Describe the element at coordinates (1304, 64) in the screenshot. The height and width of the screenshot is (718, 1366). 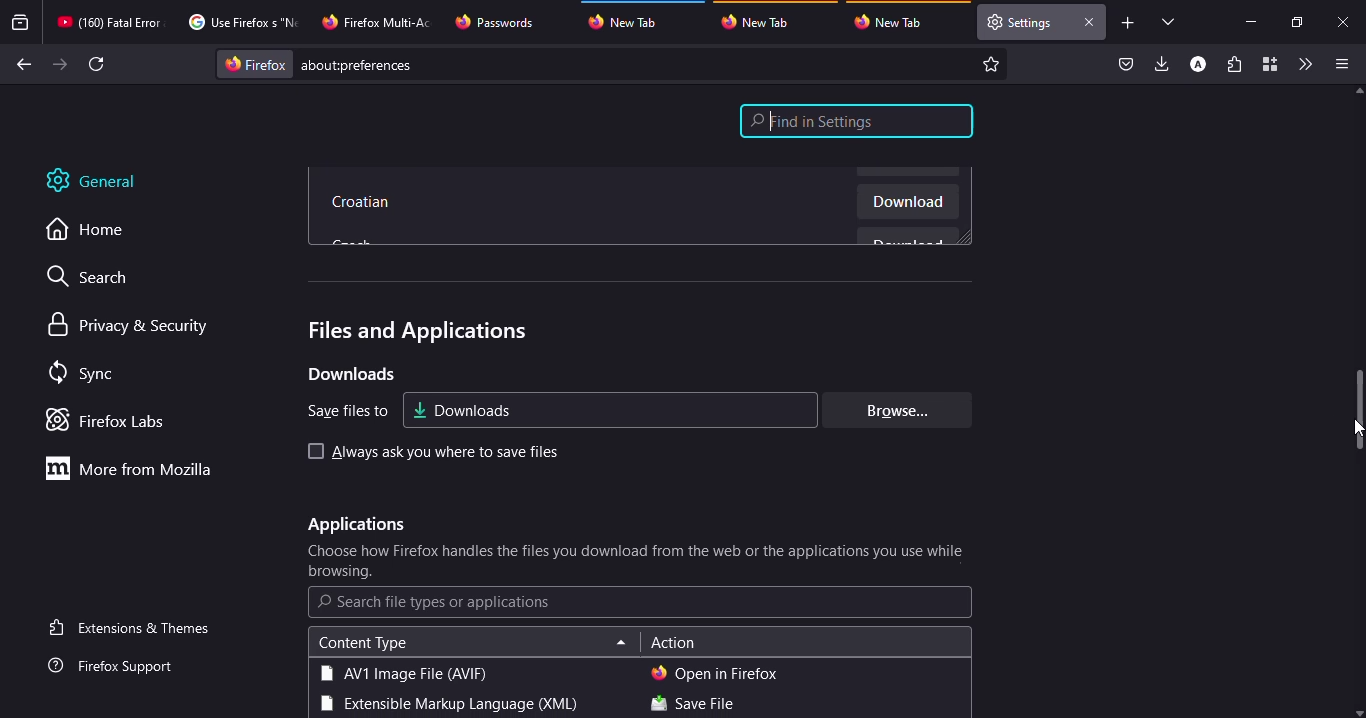
I see `more tools` at that location.